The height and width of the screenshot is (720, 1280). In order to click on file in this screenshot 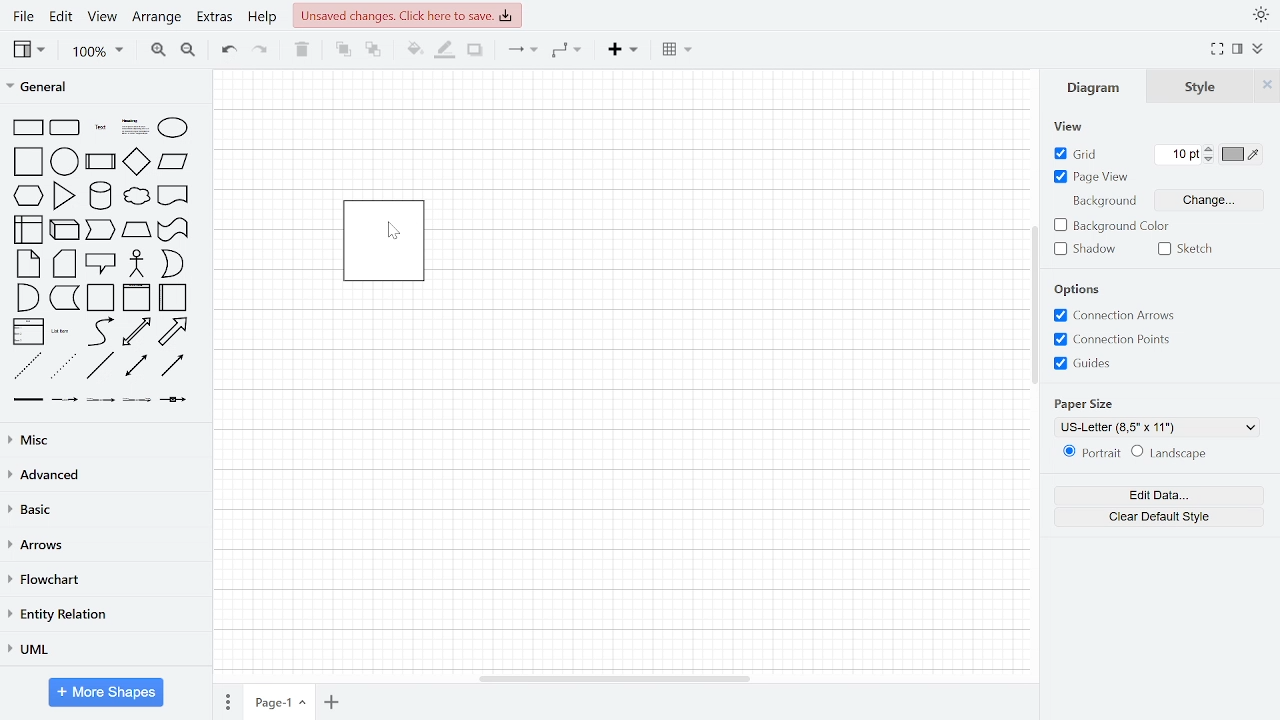, I will do `click(22, 16)`.